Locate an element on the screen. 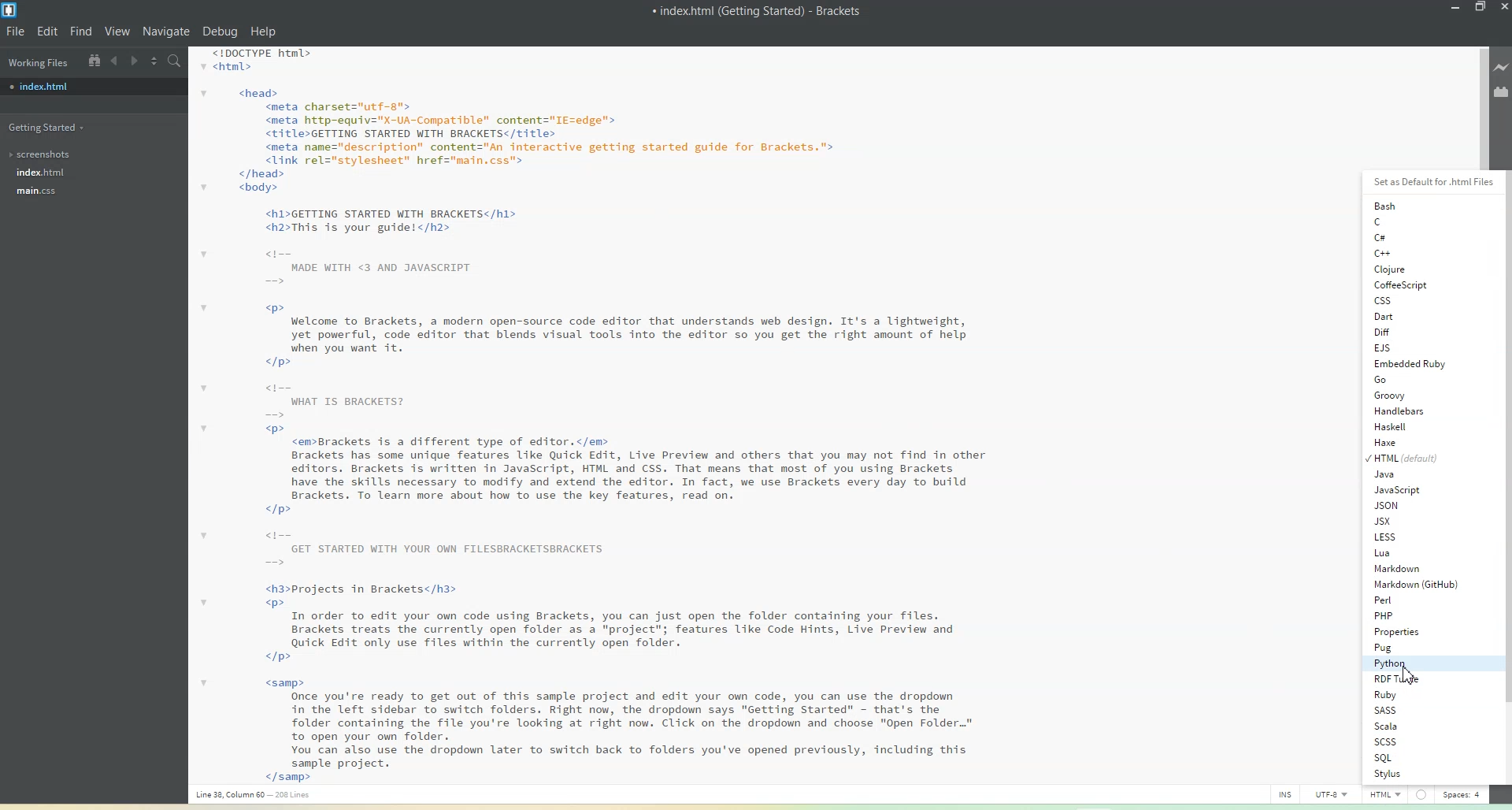 This screenshot has height=810, width=1512. Maximize is located at coordinates (1481, 8).